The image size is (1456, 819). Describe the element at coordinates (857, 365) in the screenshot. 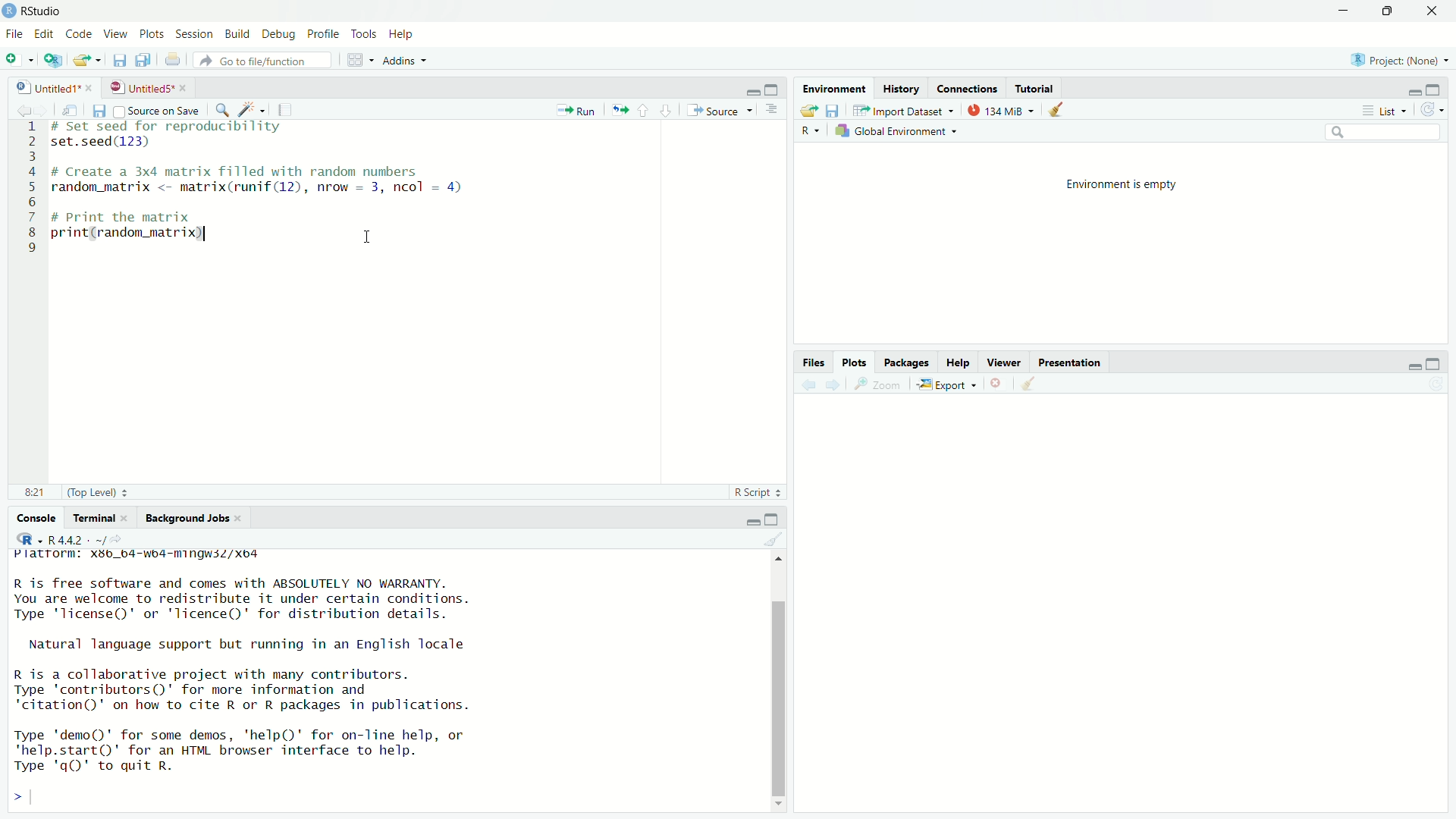

I see `Plots` at that location.